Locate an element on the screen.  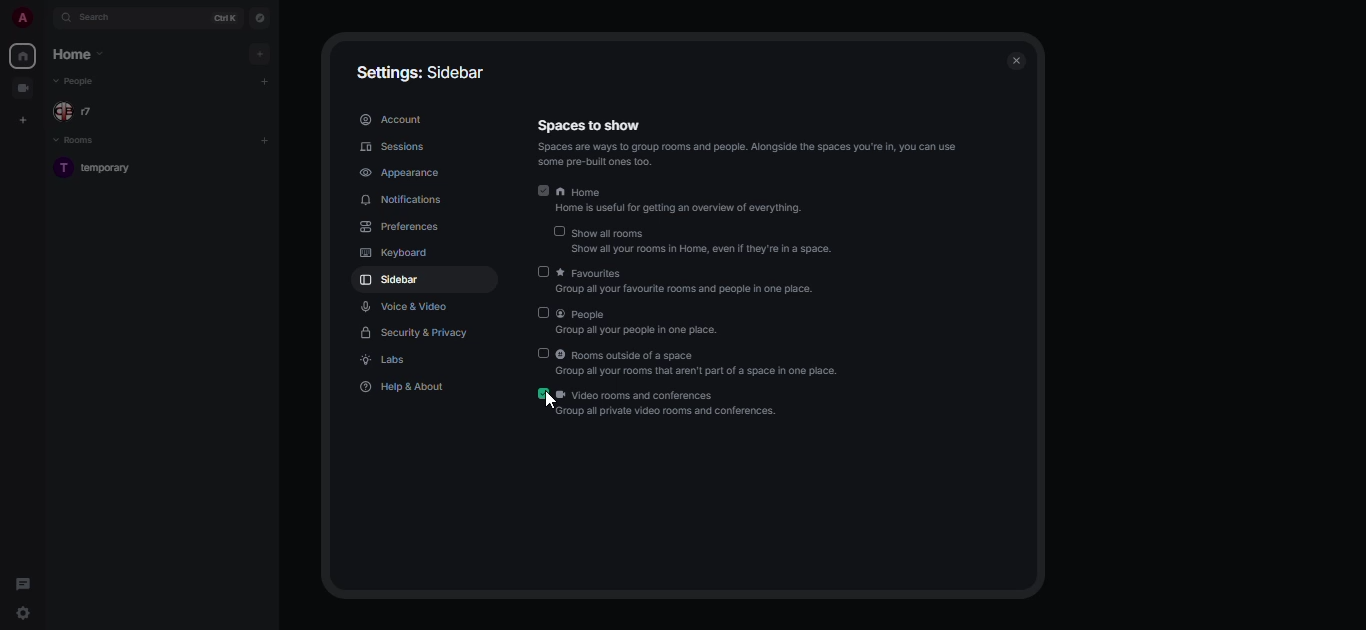
people is located at coordinates (80, 81).